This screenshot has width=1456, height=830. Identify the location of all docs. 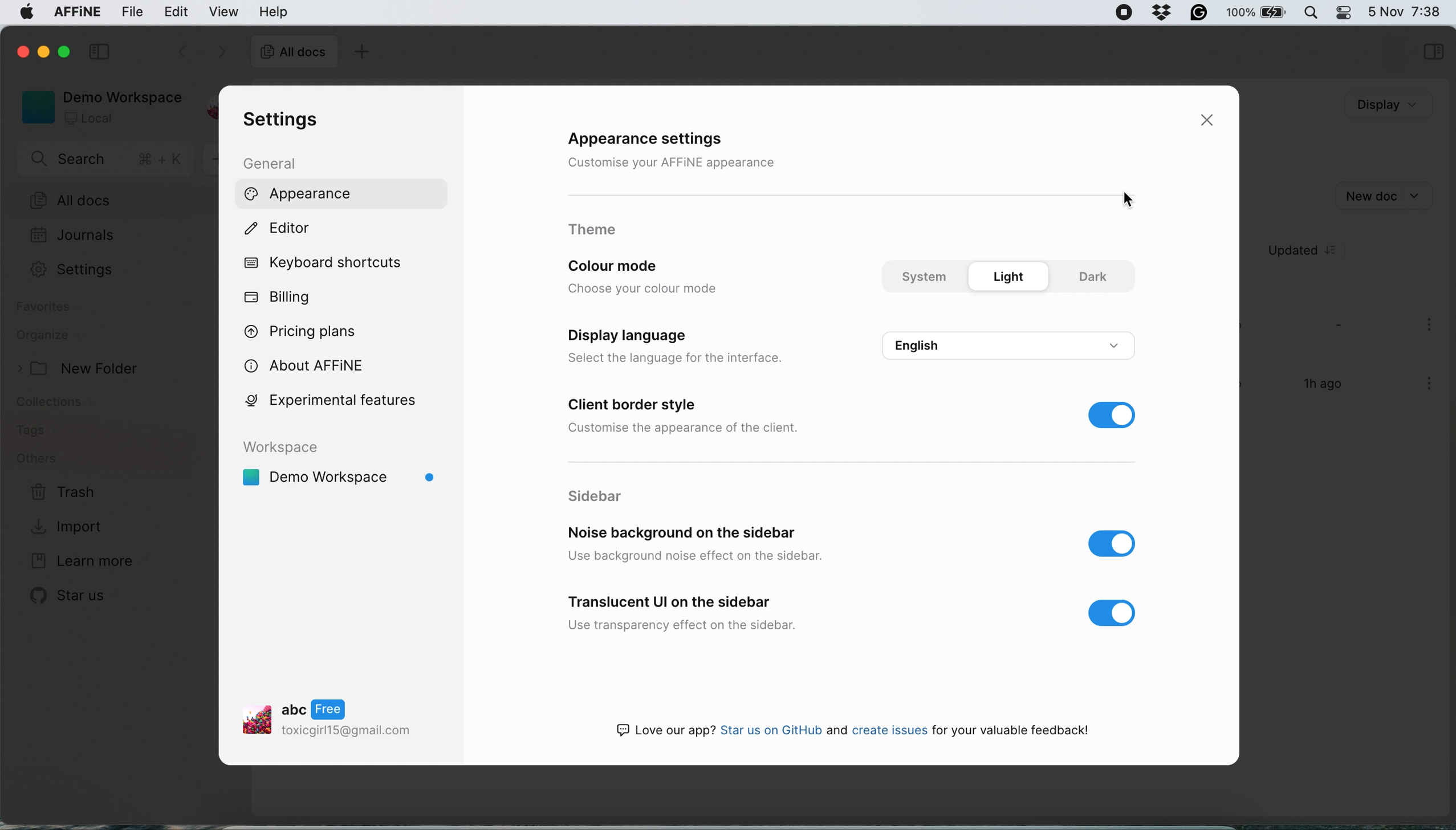
(103, 199).